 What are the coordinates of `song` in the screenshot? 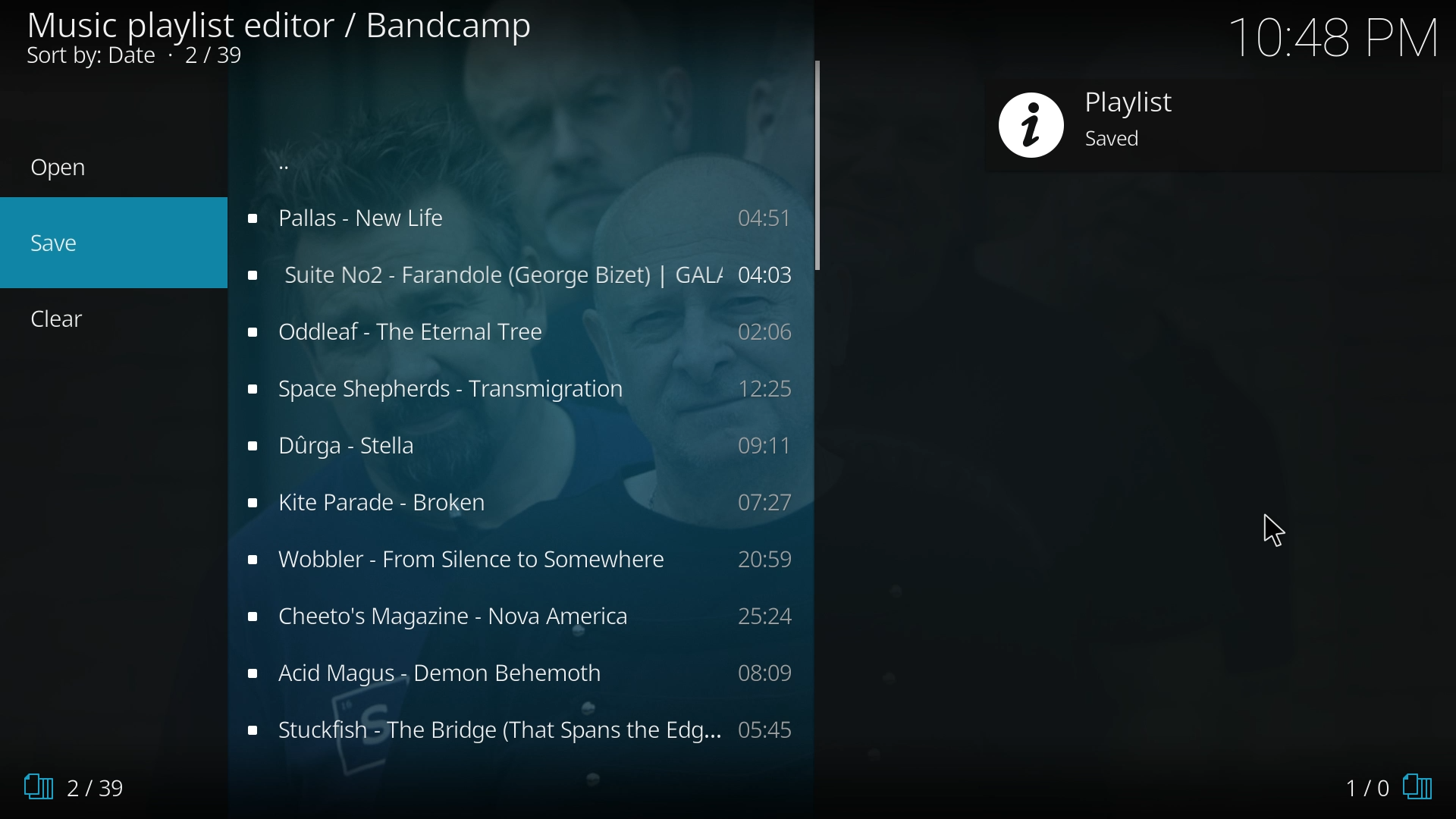 It's located at (516, 391).